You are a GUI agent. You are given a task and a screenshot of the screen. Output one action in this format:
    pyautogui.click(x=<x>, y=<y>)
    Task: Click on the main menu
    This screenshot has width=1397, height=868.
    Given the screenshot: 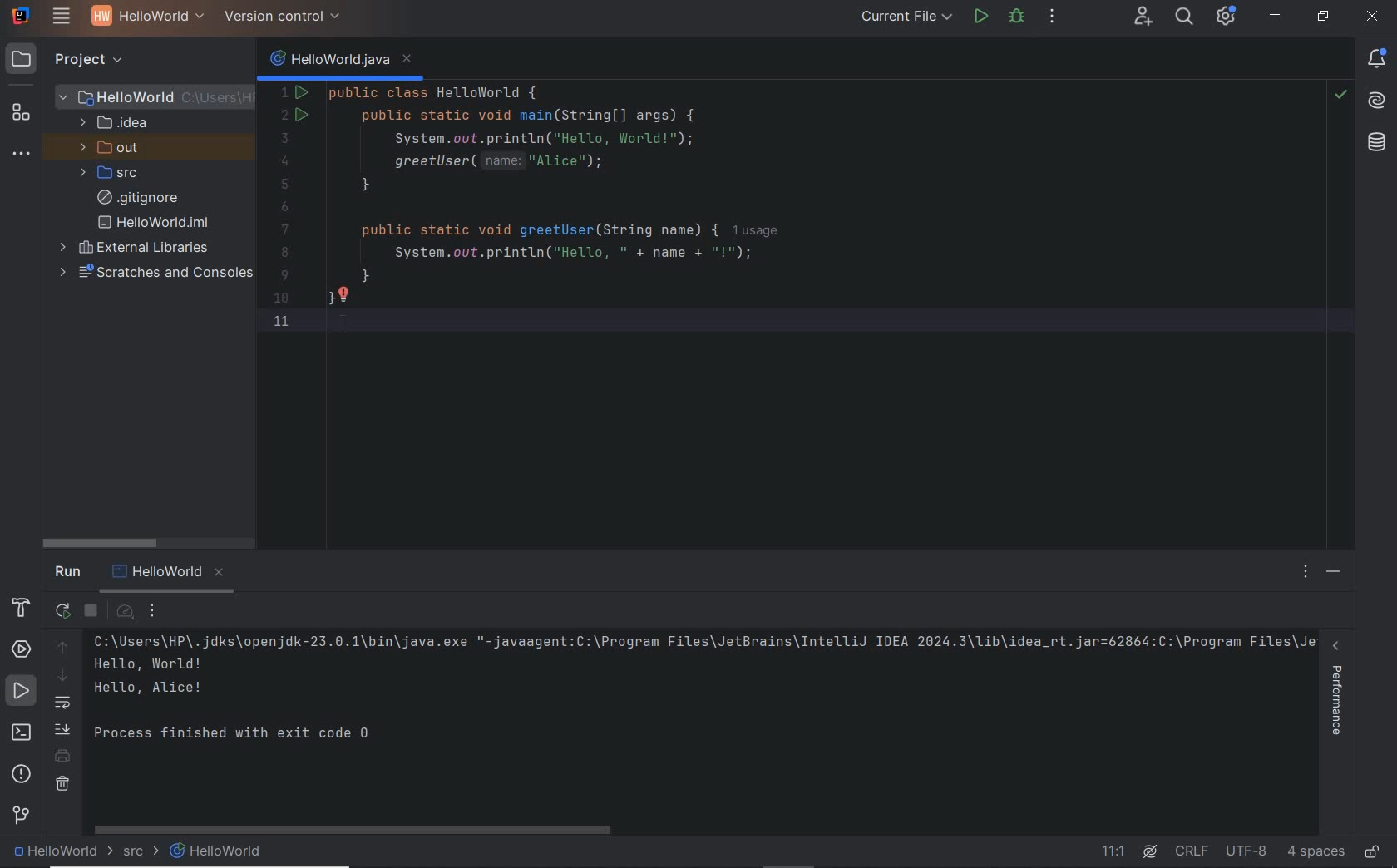 What is the action you would take?
    pyautogui.click(x=62, y=18)
    